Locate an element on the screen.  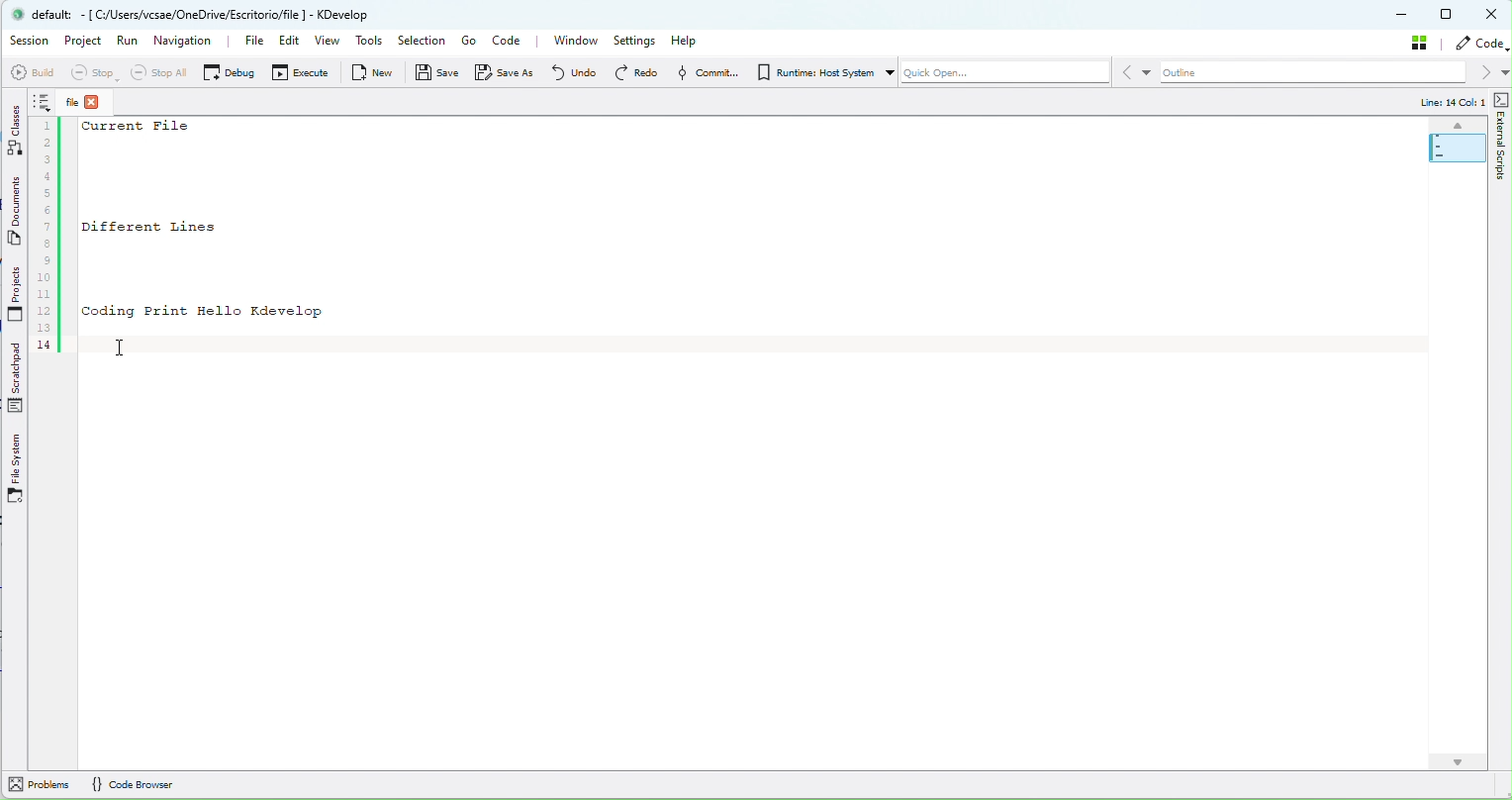
Maximize is located at coordinates (1448, 14).